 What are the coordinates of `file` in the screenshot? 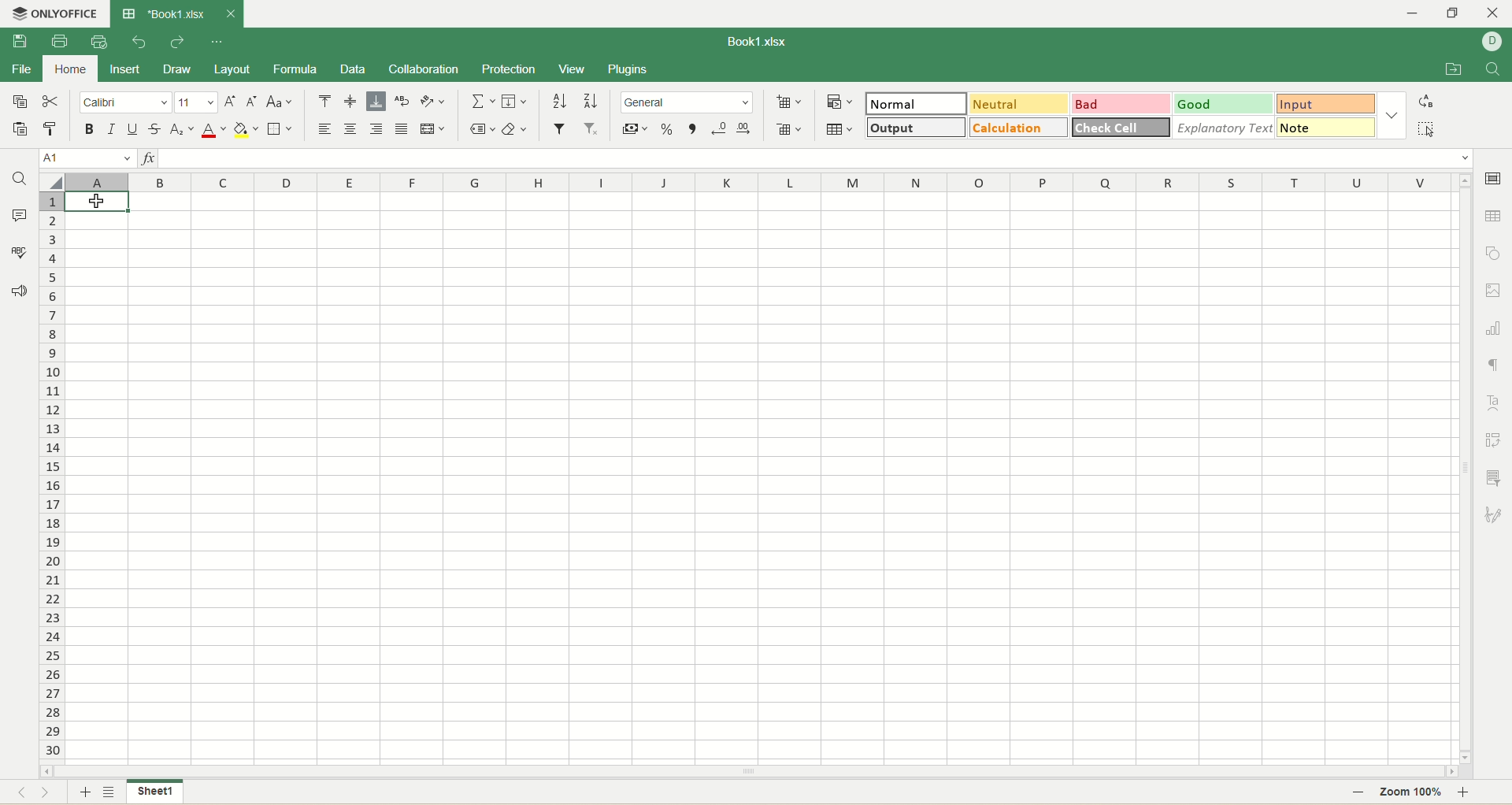 It's located at (20, 70).